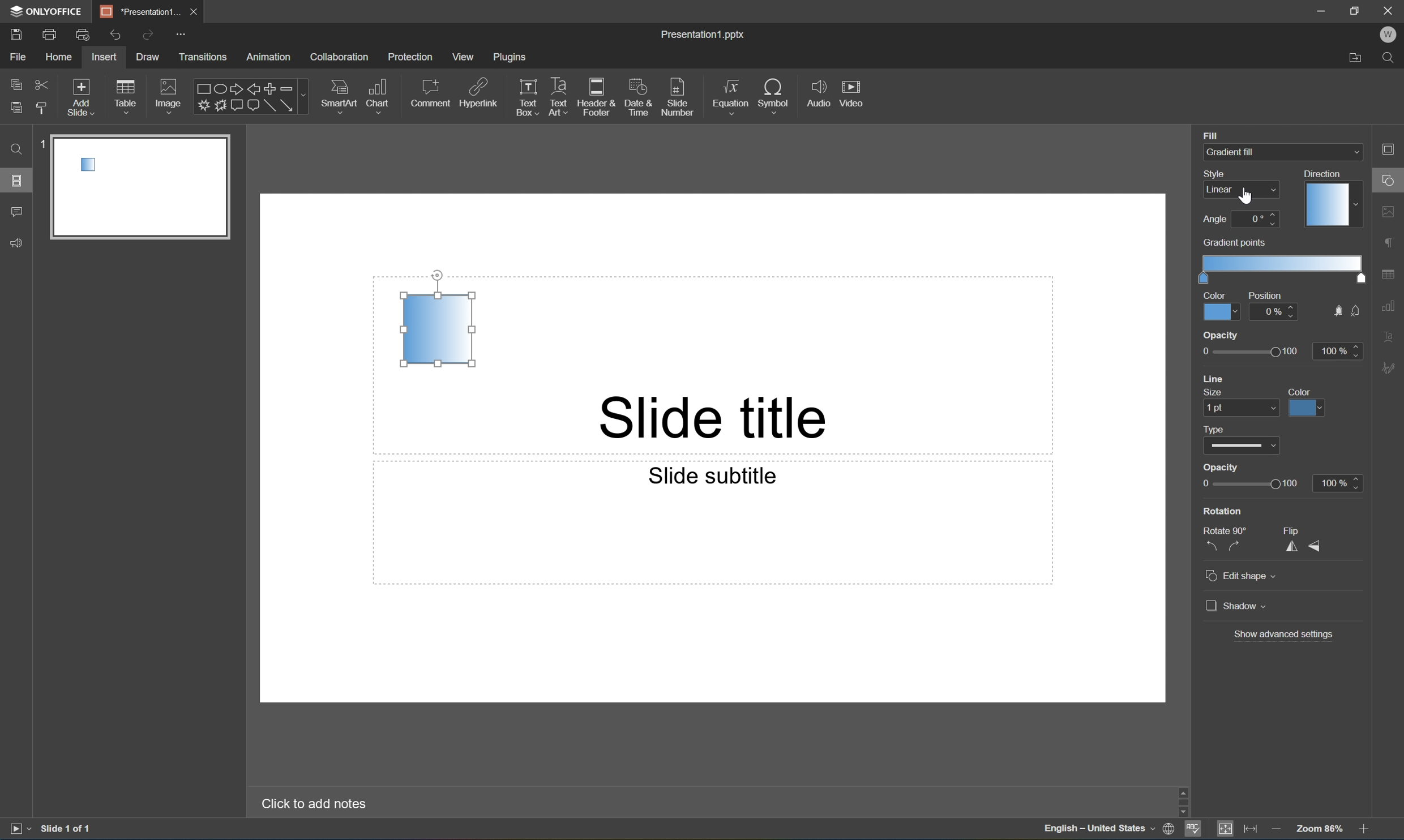  Describe the element at coordinates (201, 89) in the screenshot. I see `Rectangle` at that location.